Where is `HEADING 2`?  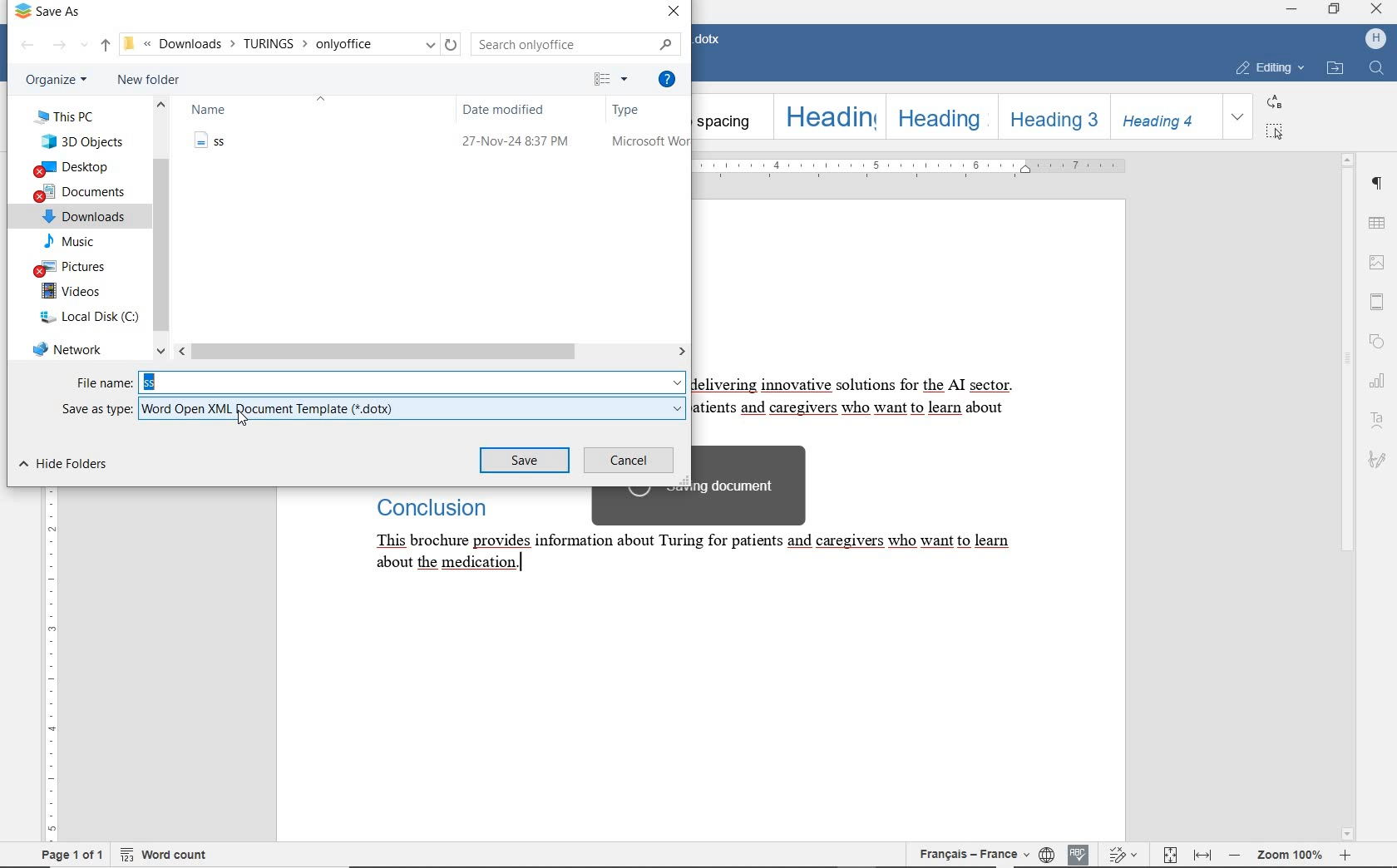
HEADING 2 is located at coordinates (940, 116).